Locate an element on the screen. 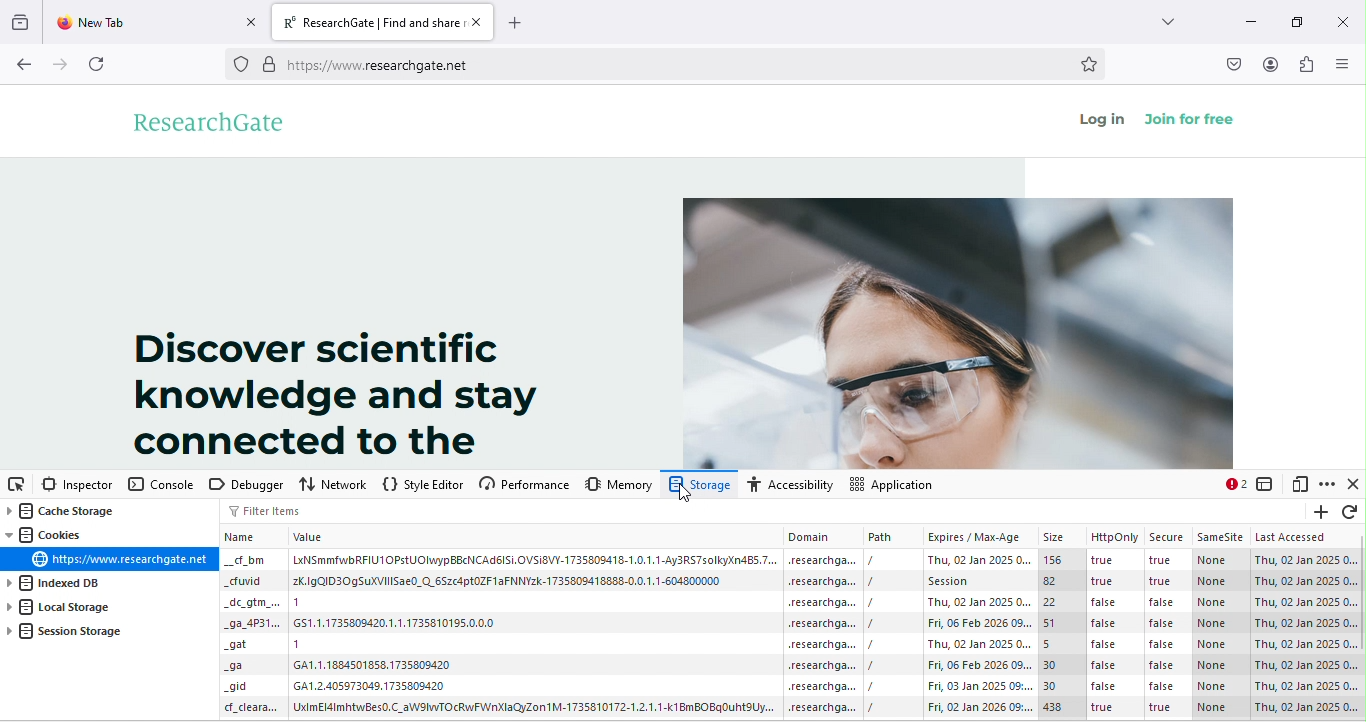 The width and height of the screenshot is (1366, 722). value is located at coordinates (402, 623).